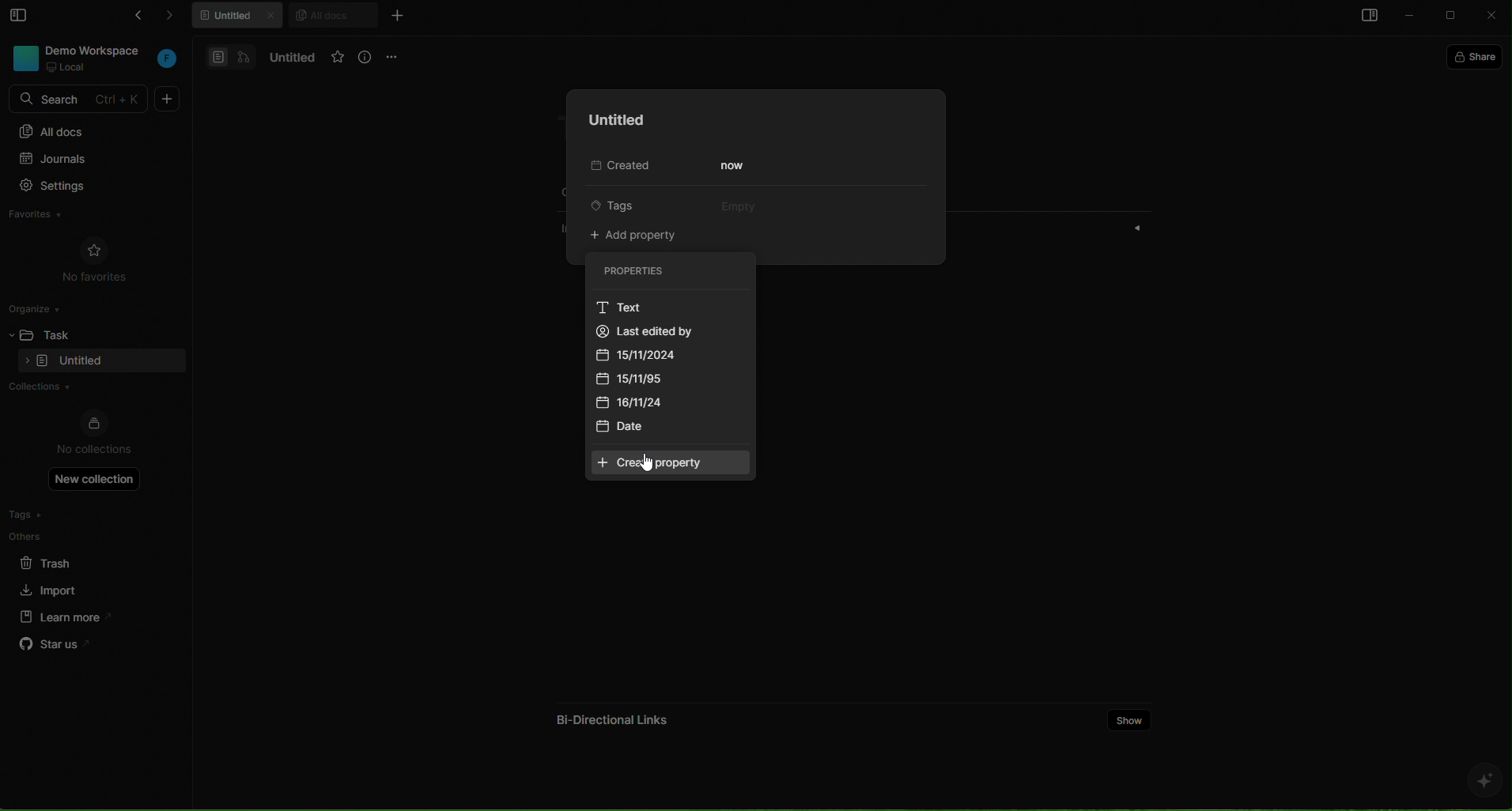  Describe the element at coordinates (663, 271) in the screenshot. I see `Properties` at that location.